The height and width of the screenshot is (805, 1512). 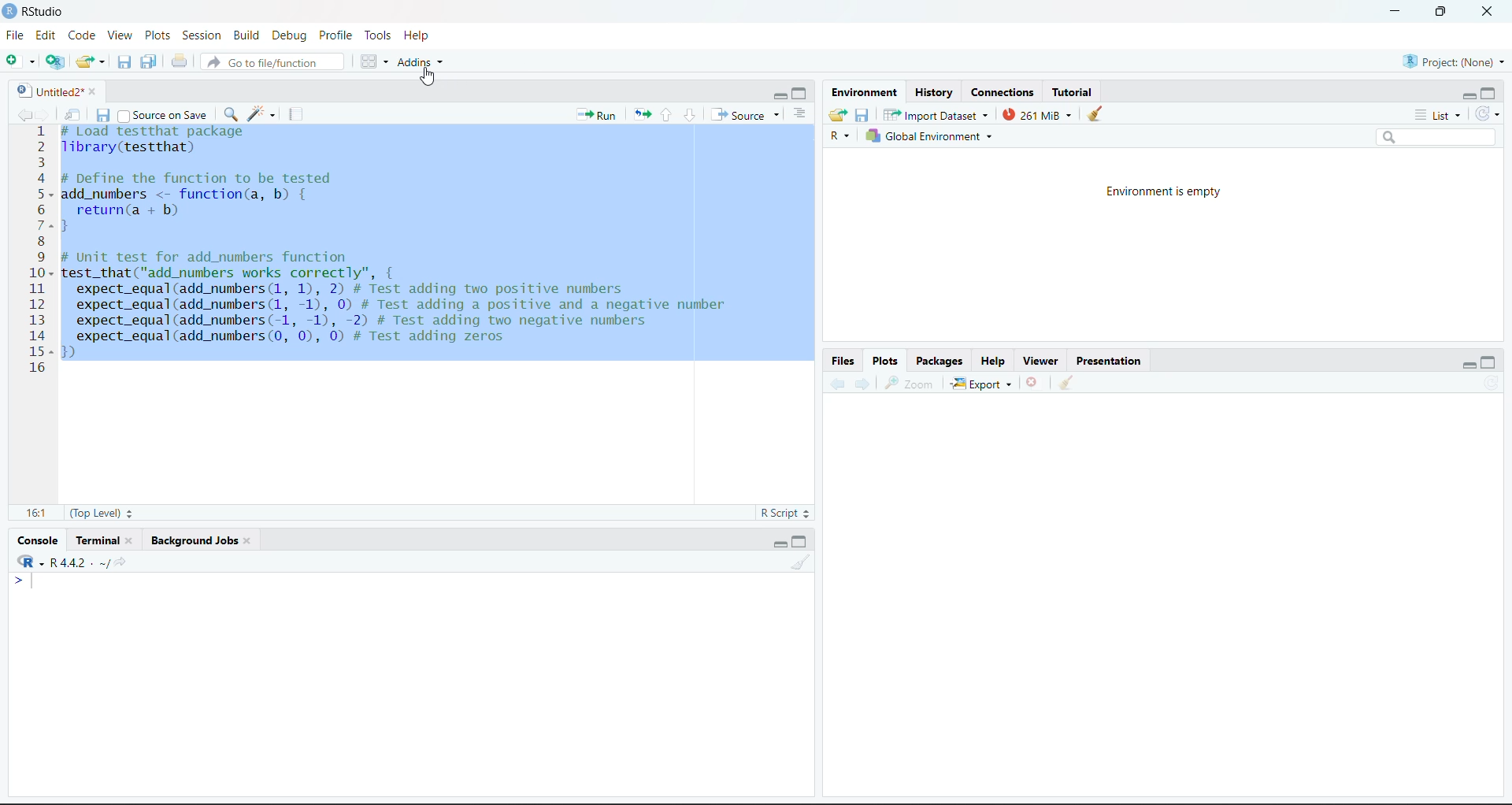 What do you see at coordinates (157, 35) in the screenshot?
I see `Plots` at bounding box center [157, 35].